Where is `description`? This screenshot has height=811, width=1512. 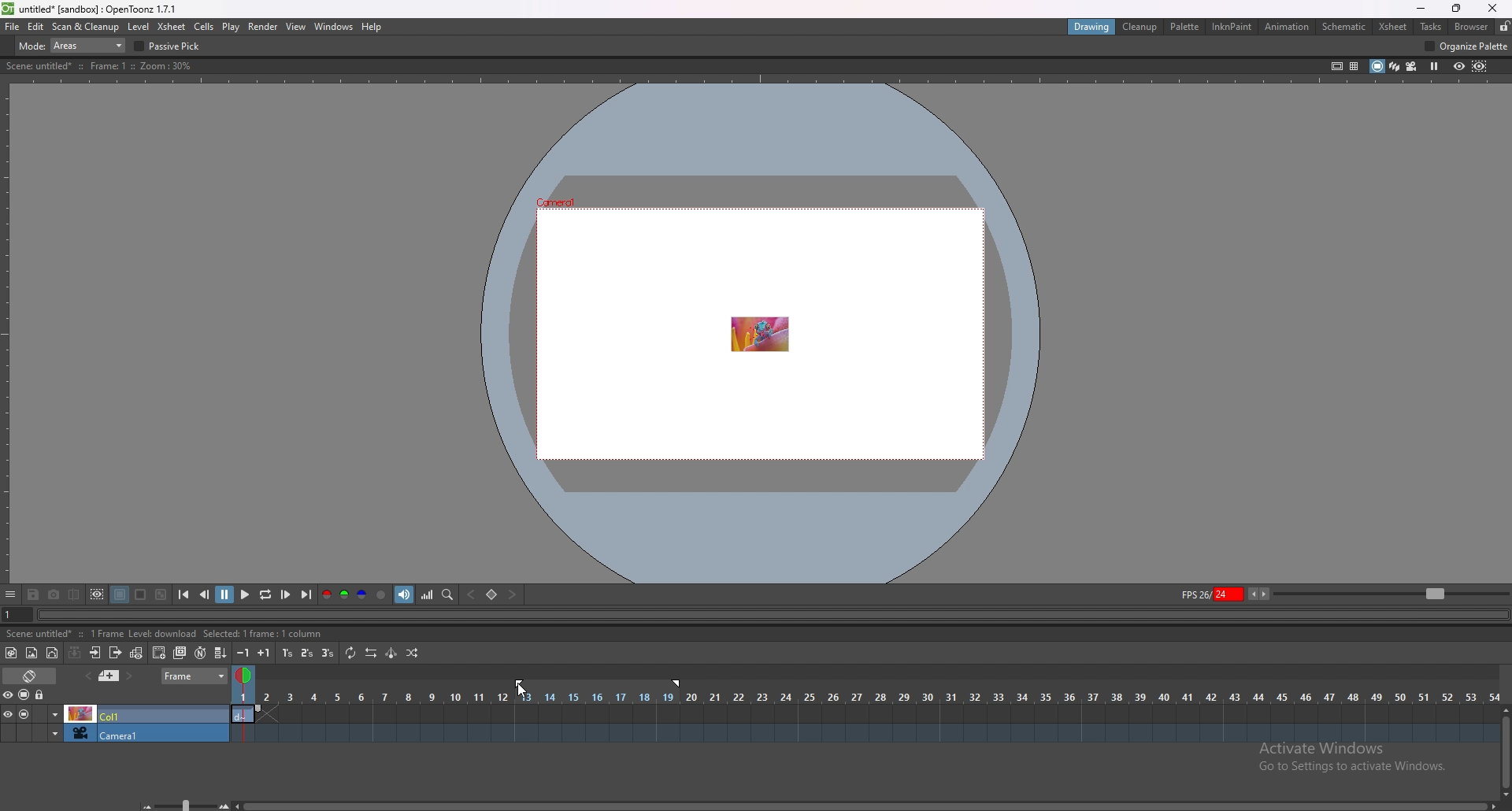
description is located at coordinates (167, 634).